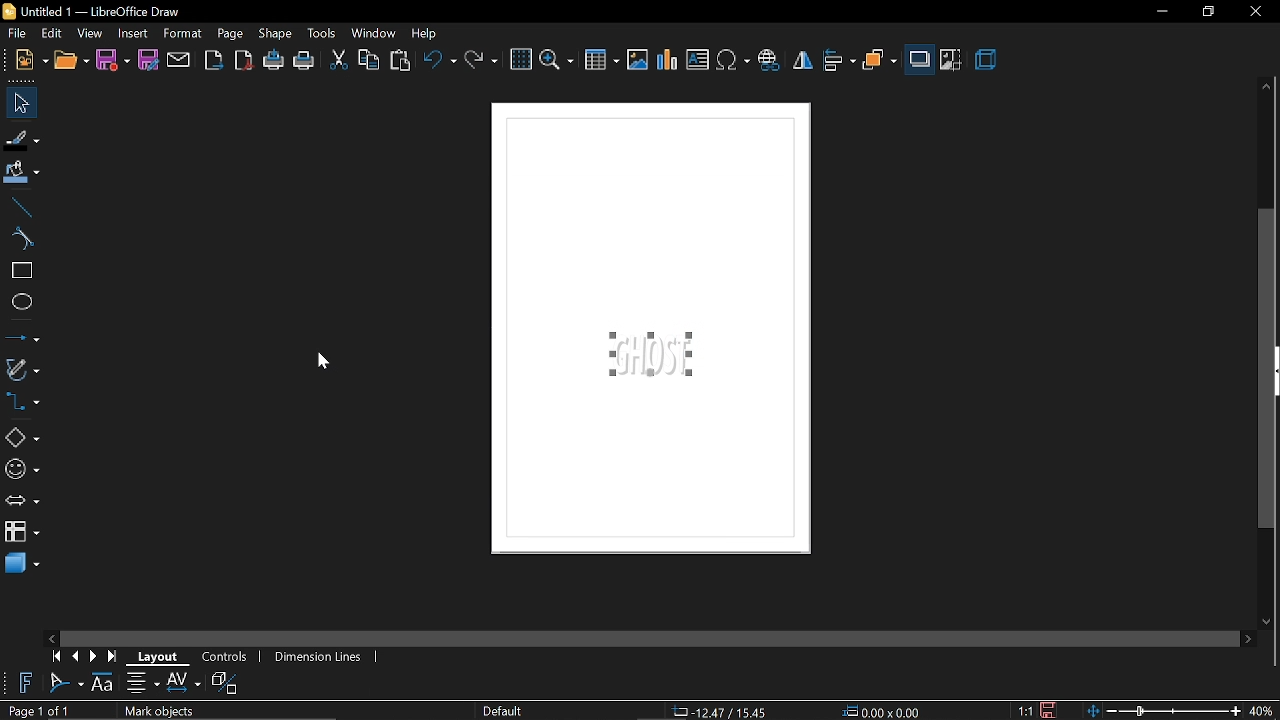 The width and height of the screenshot is (1280, 720). I want to click on insert chart, so click(668, 63).